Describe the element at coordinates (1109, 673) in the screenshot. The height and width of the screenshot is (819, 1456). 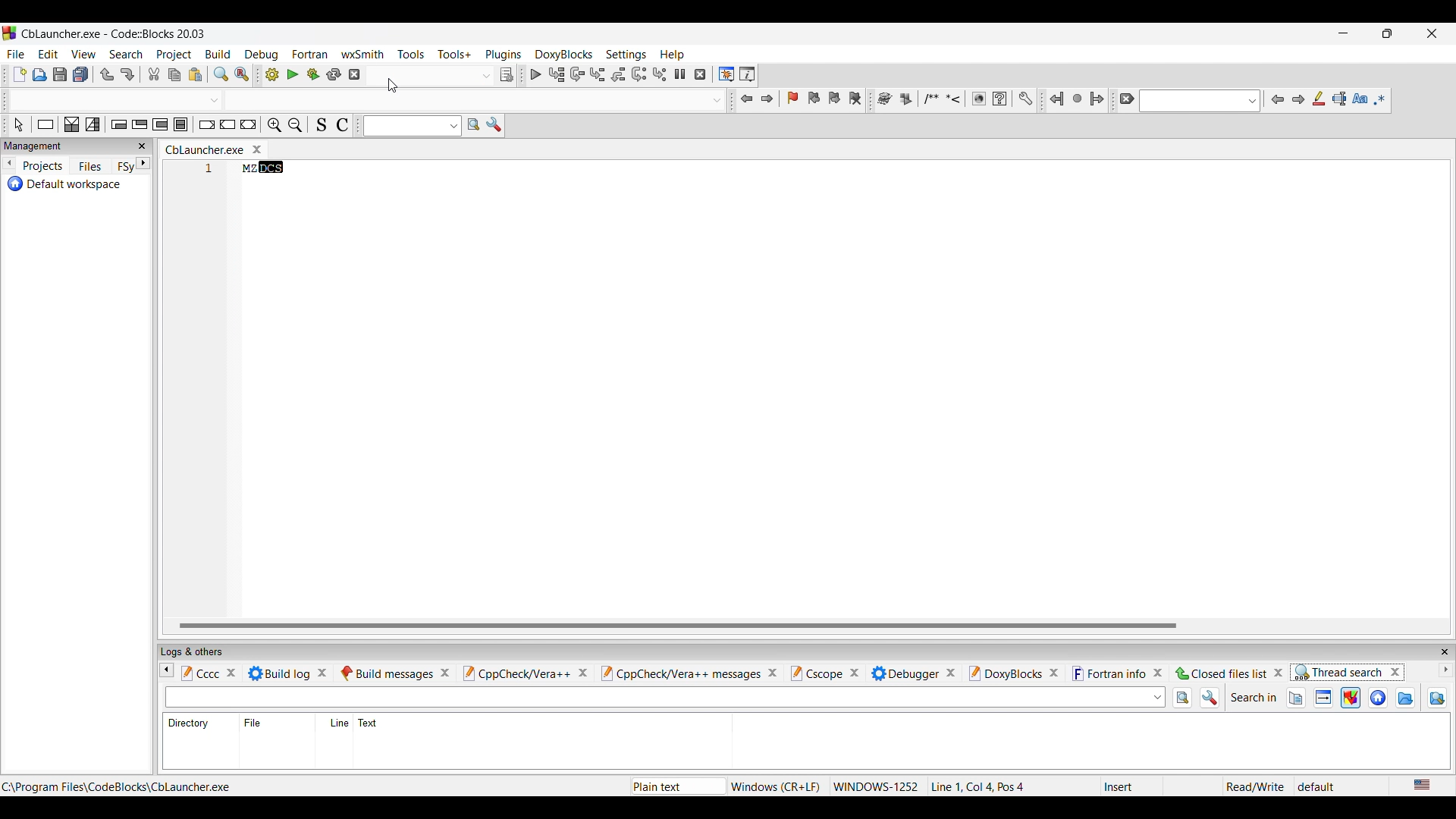
I see `Fortran info` at that location.